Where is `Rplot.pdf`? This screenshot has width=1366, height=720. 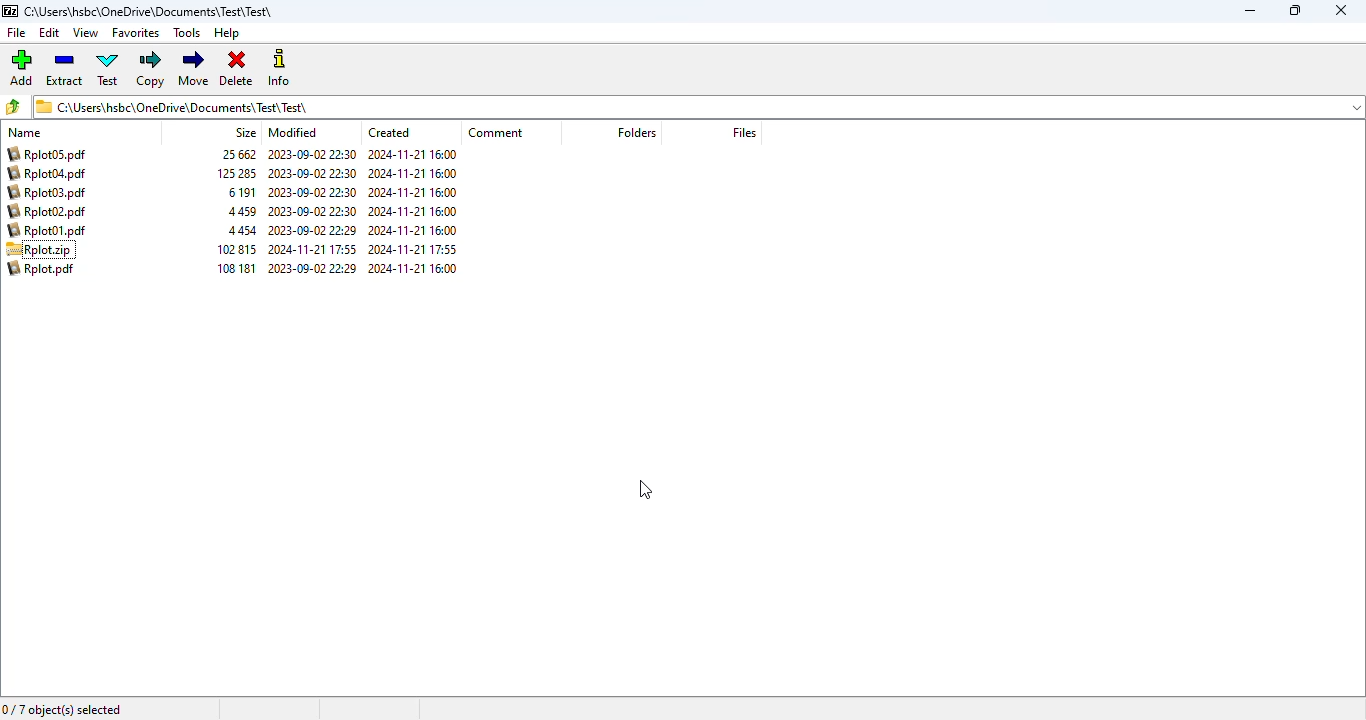
Rplot.pdf is located at coordinates (42, 268).